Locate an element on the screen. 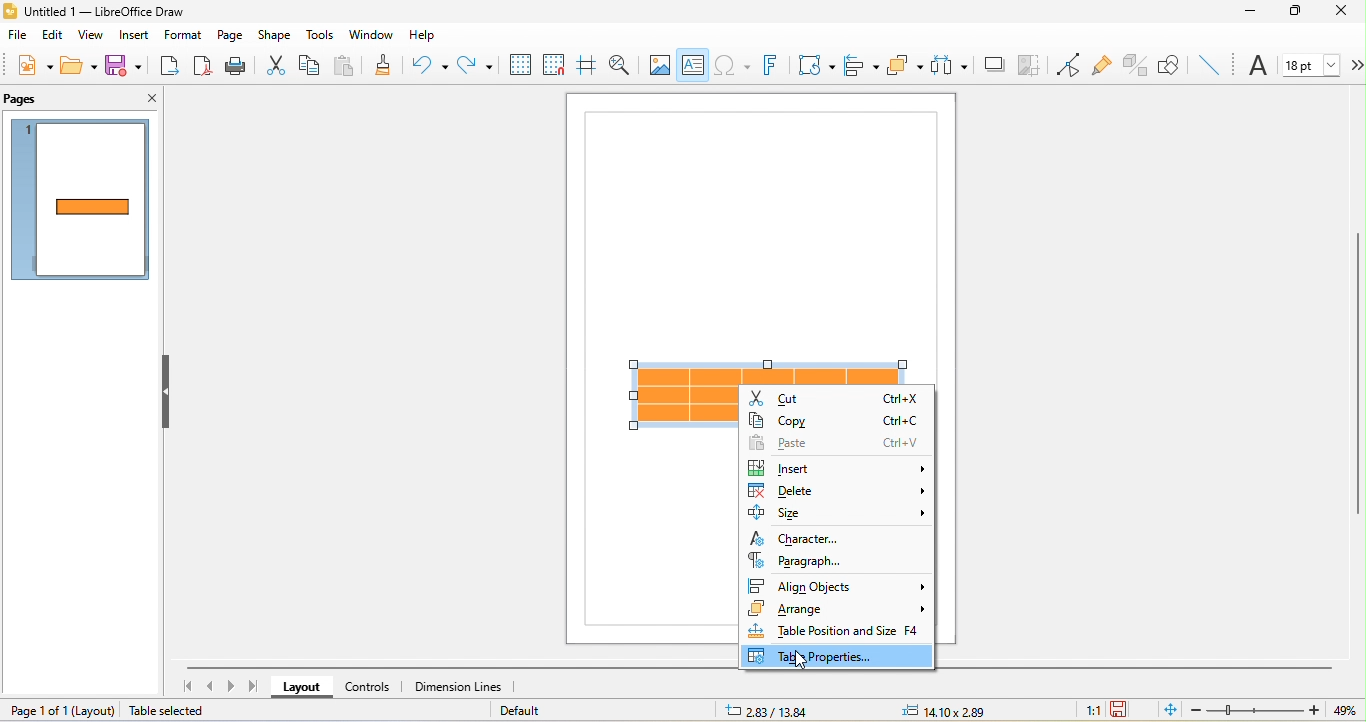 The image size is (1366, 722). helpline while moving is located at coordinates (587, 65).